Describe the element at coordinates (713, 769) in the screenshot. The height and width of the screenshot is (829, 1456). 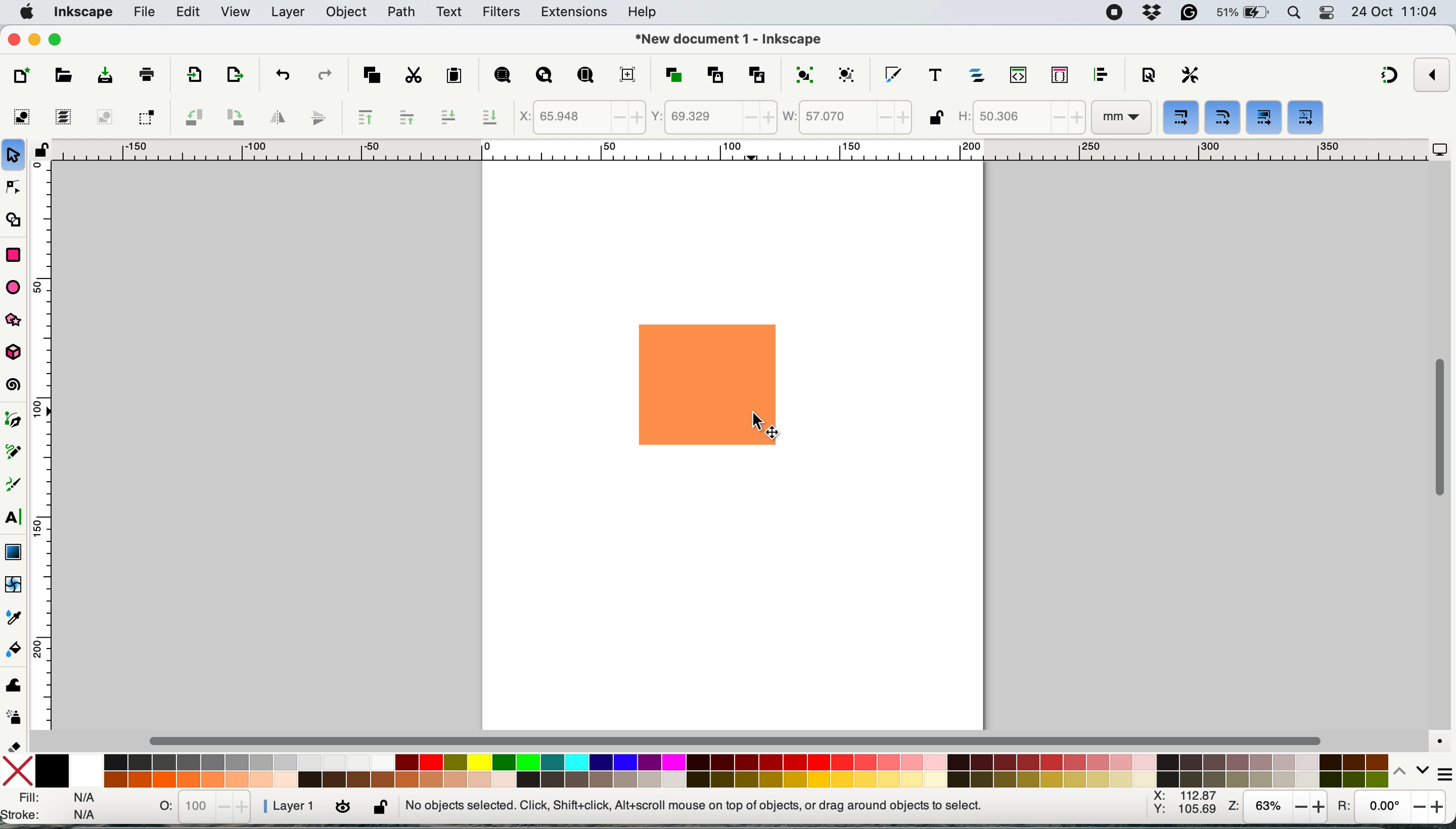
I see `color palatte` at that location.